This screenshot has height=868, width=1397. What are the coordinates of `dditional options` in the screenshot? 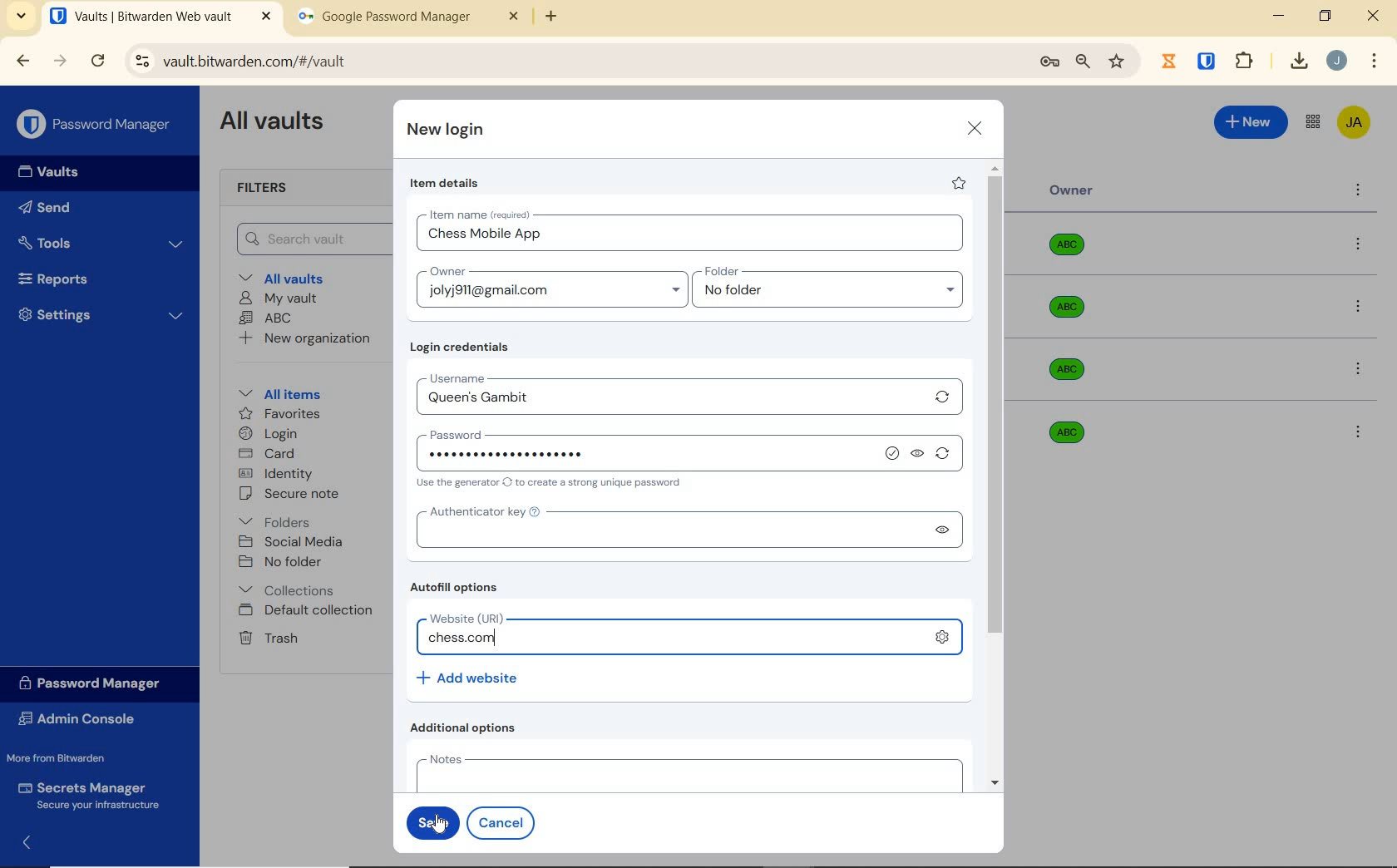 It's located at (467, 727).